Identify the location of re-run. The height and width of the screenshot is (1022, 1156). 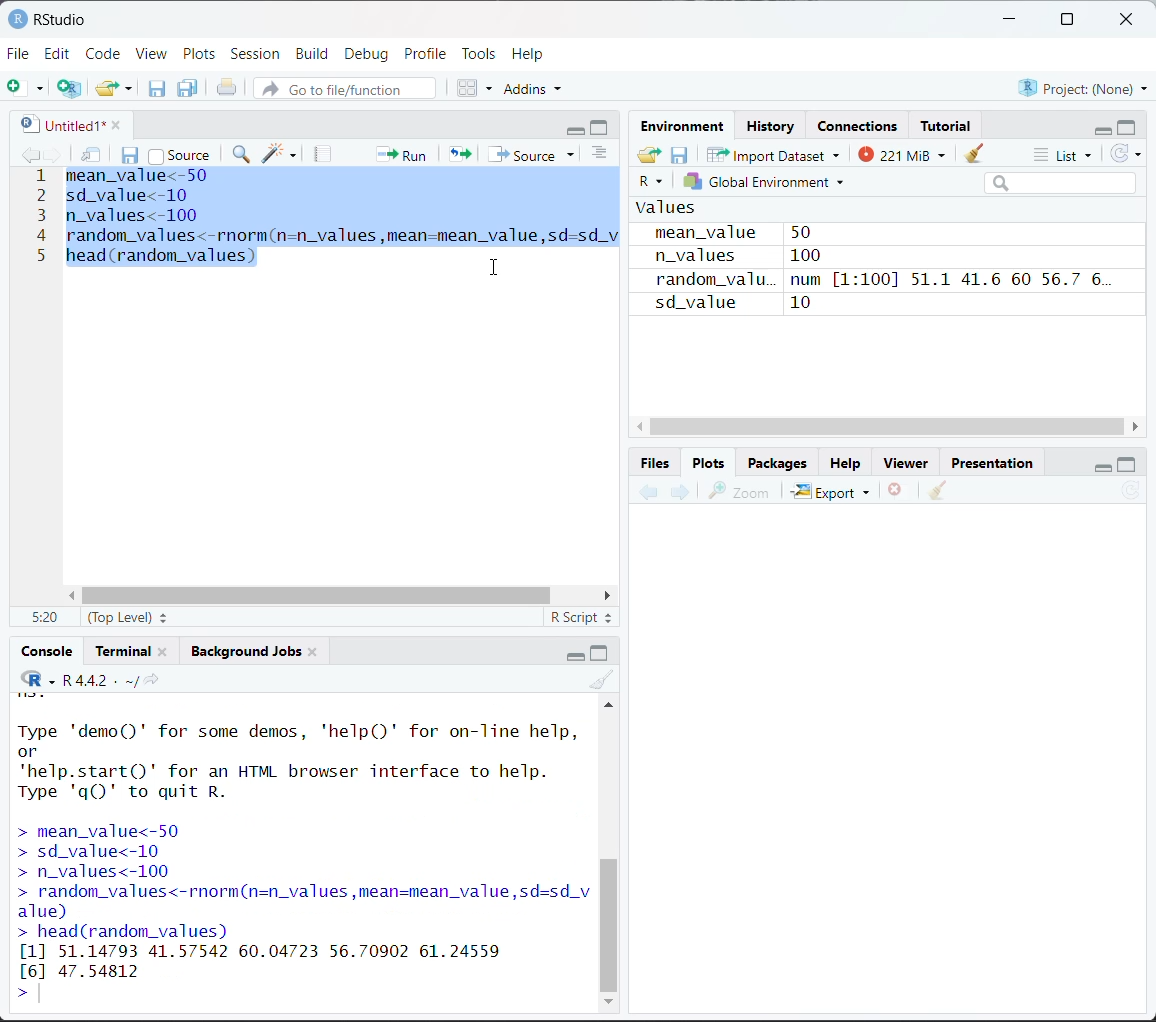
(458, 153).